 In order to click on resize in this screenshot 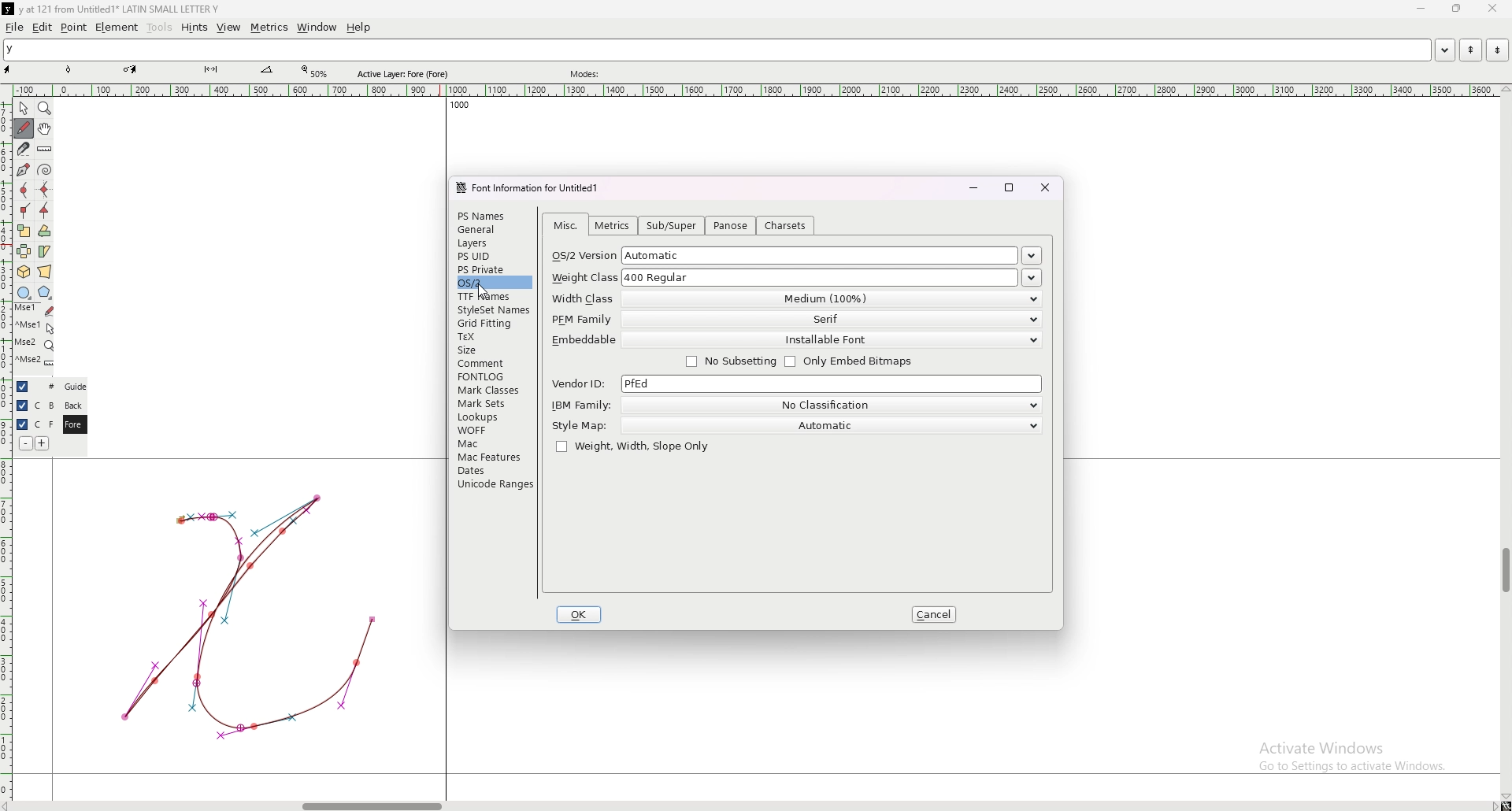, I will do `click(1455, 9)`.